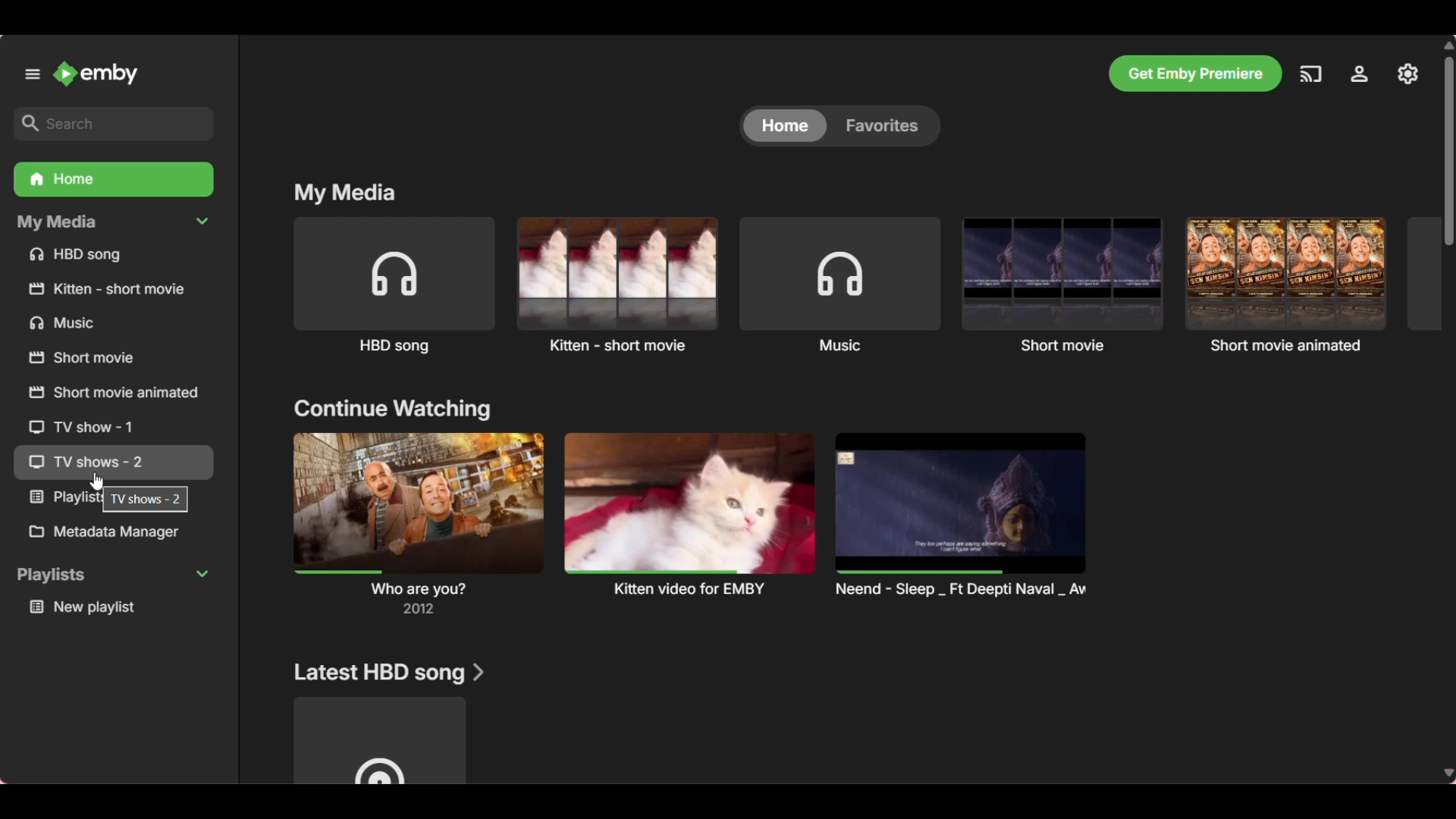  Describe the element at coordinates (394, 285) in the screenshot. I see `HBD song` at that location.